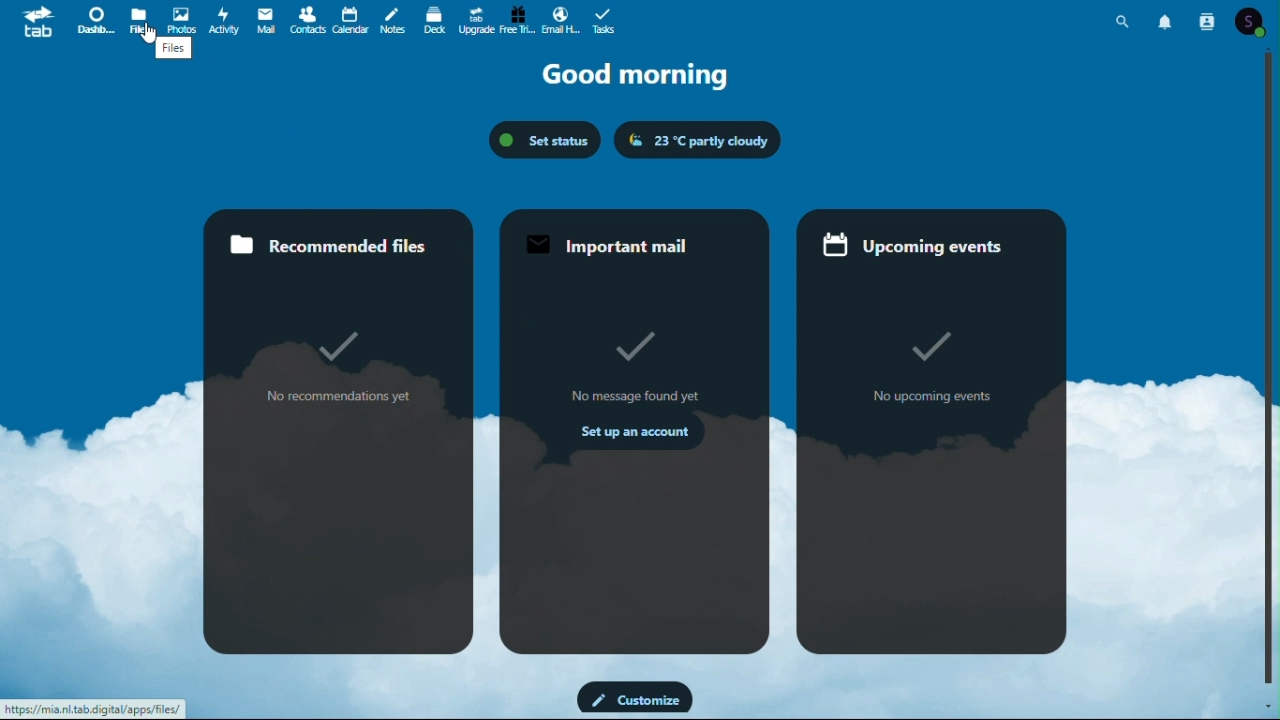 The image size is (1280, 720). What do you see at coordinates (642, 74) in the screenshot?
I see `Good morning` at bounding box center [642, 74].